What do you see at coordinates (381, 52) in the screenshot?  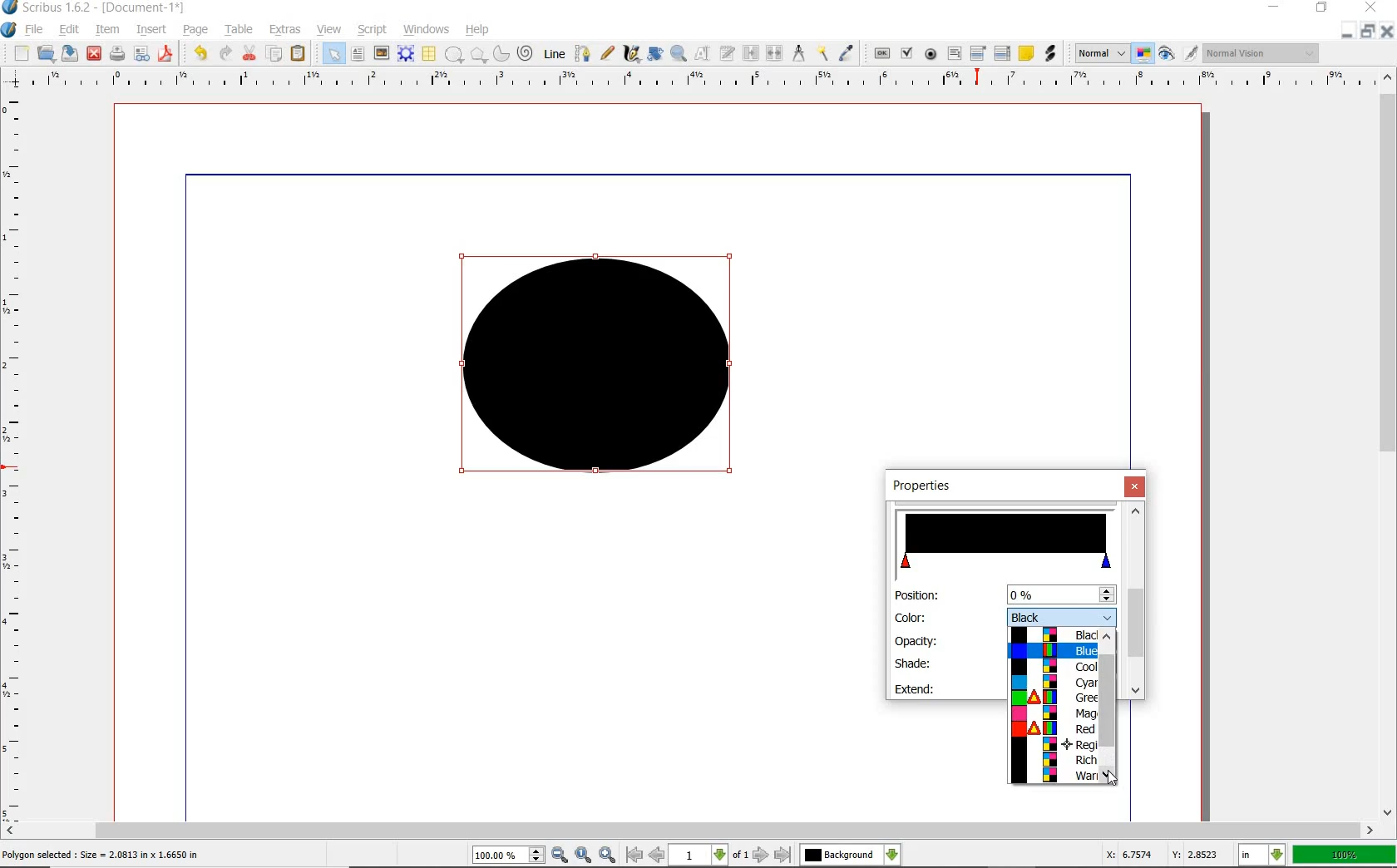 I see `IMAGE` at bounding box center [381, 52].